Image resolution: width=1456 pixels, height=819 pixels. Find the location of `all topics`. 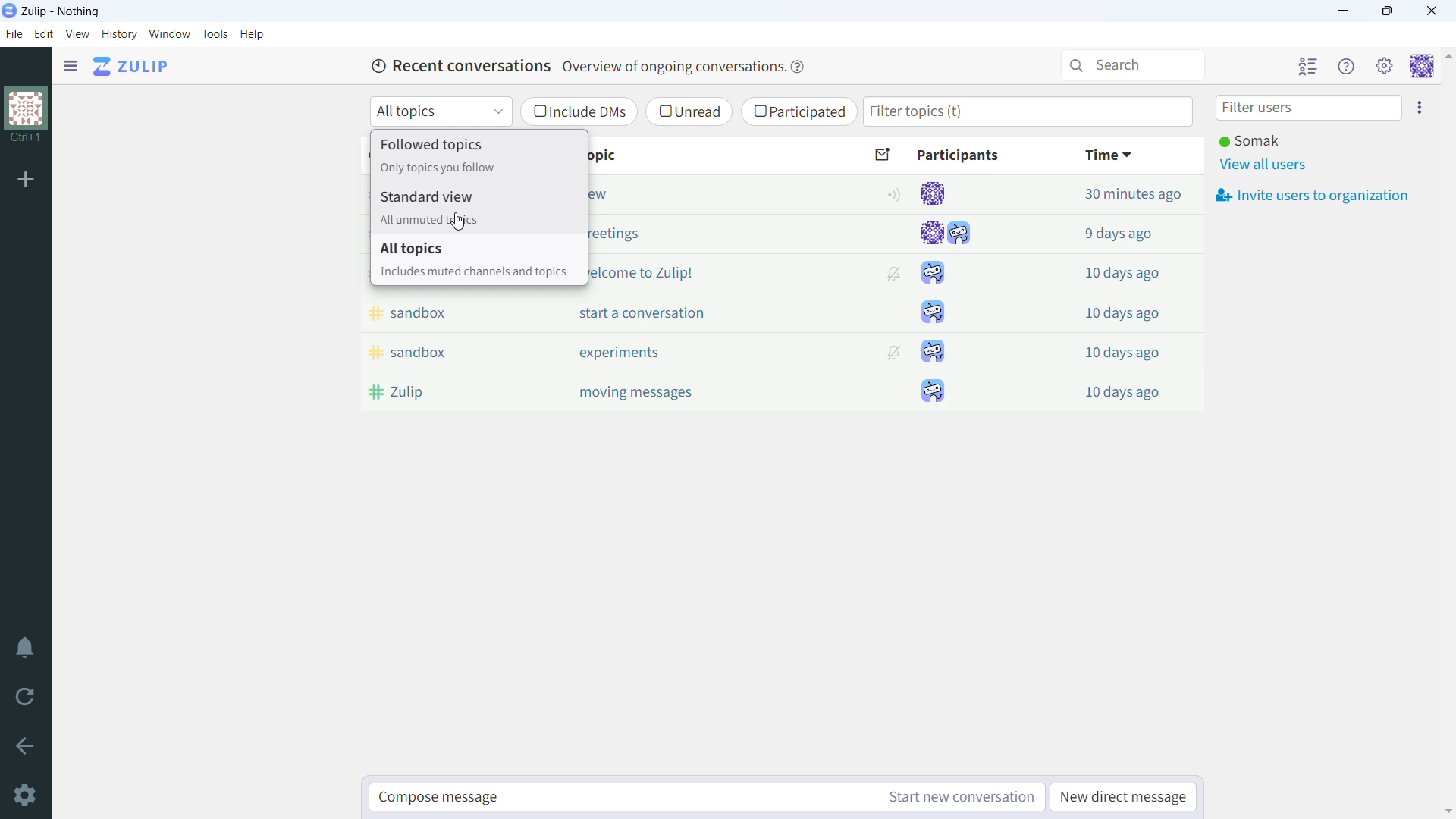

all topics is located at coordinates (479, 260).